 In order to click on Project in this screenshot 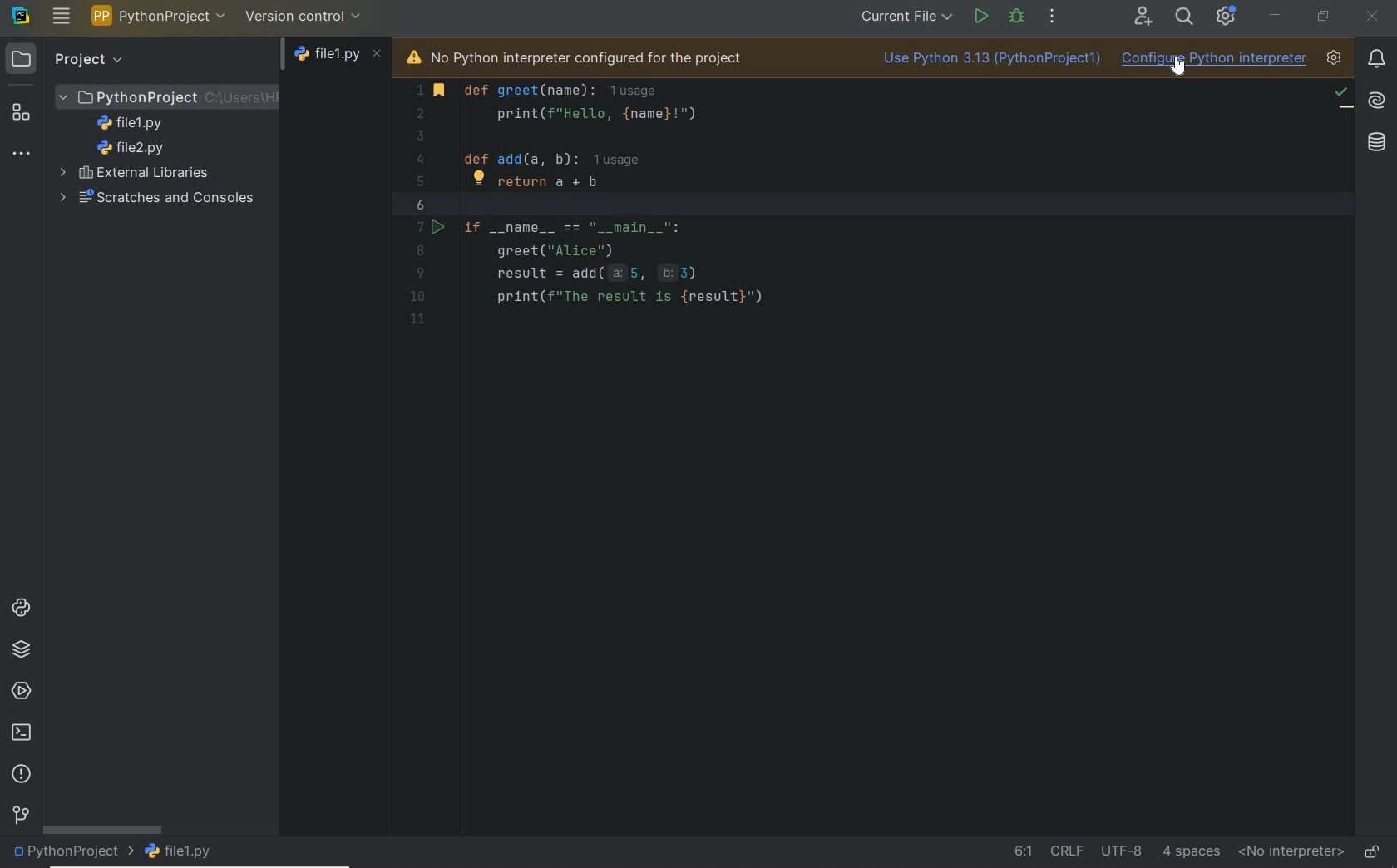, I will do `click(168, 96)`.